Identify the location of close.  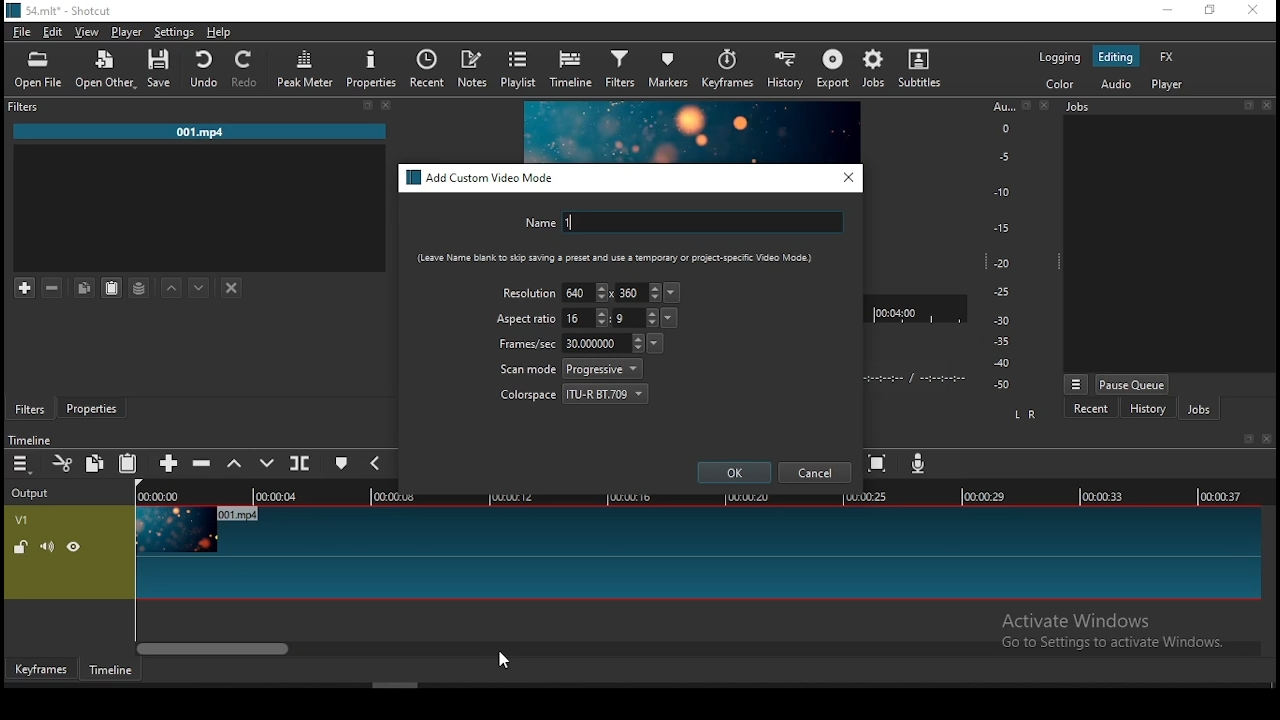
(1270, 439).